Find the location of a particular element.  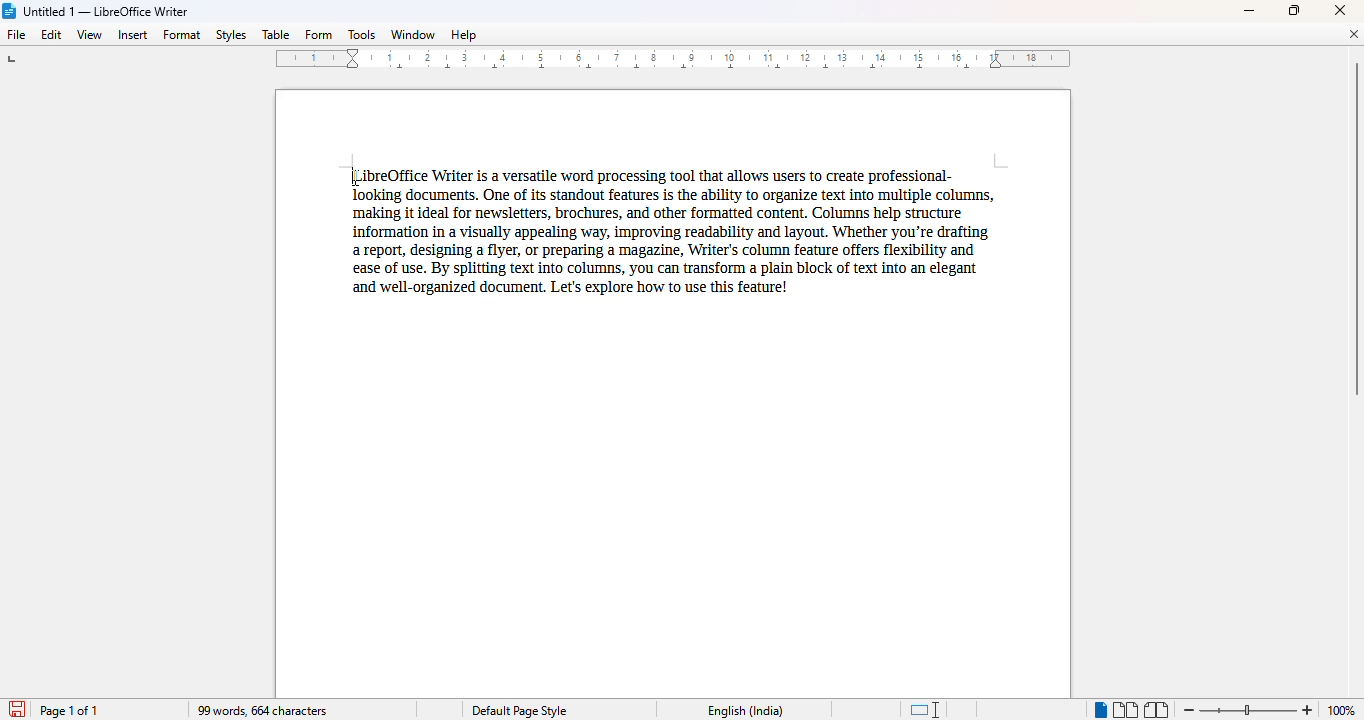

help is located at coordinates (464, 34).